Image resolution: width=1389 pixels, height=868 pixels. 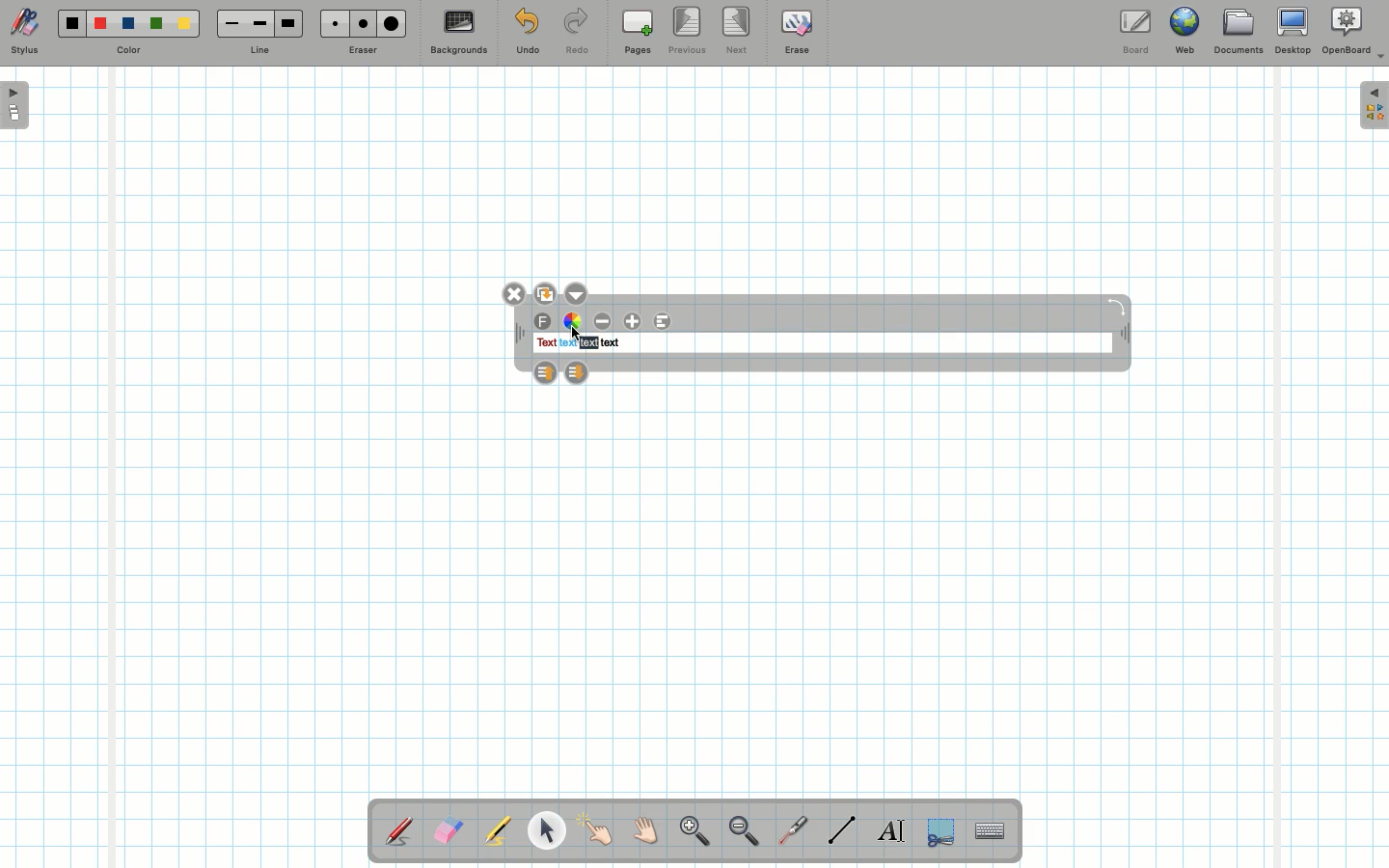 I want to click on Zoom out, so click(x=744, y=832).